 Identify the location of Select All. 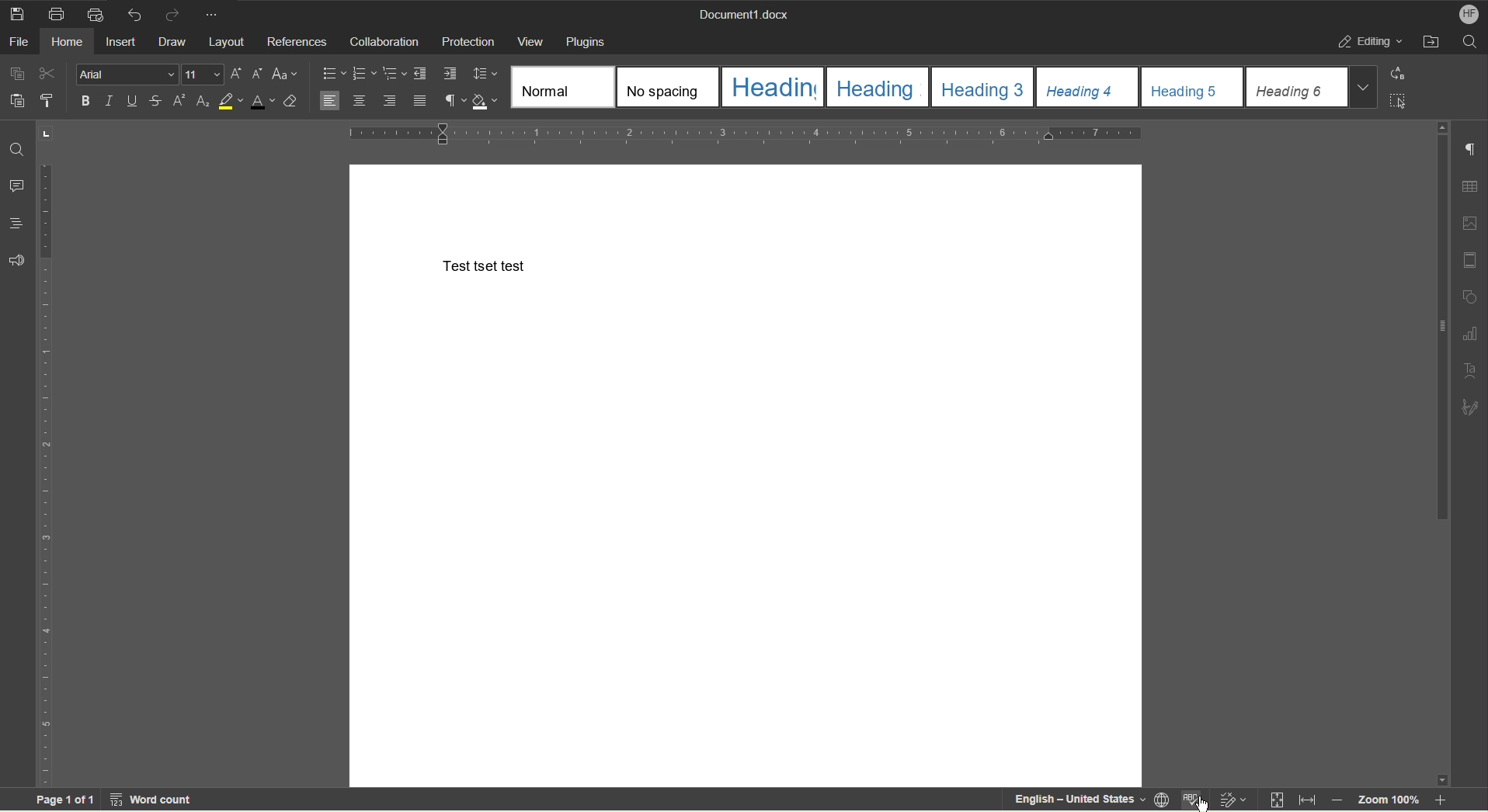
(1397, 99).